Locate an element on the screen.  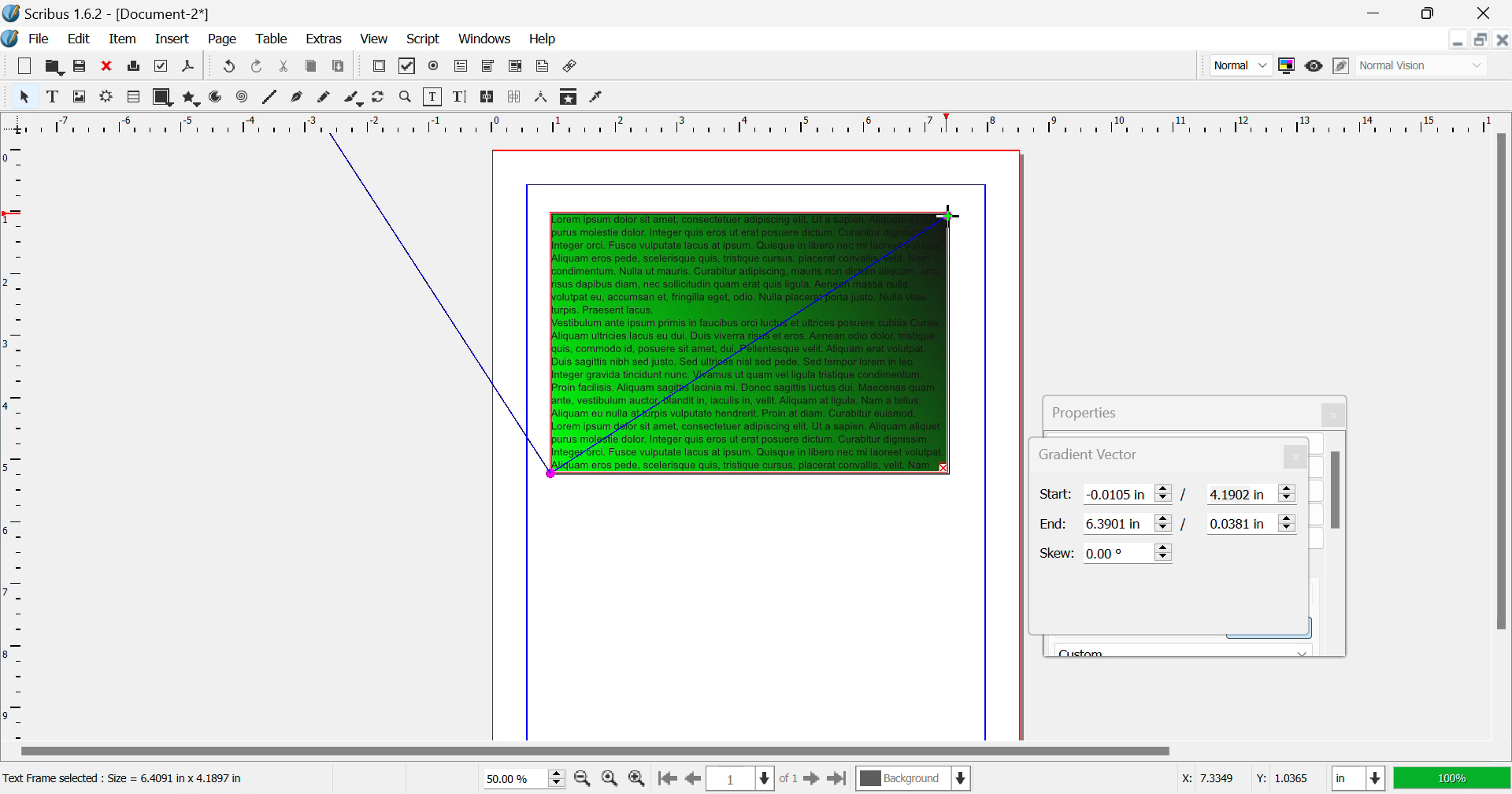
Undo is located at coordinates (259, 68).